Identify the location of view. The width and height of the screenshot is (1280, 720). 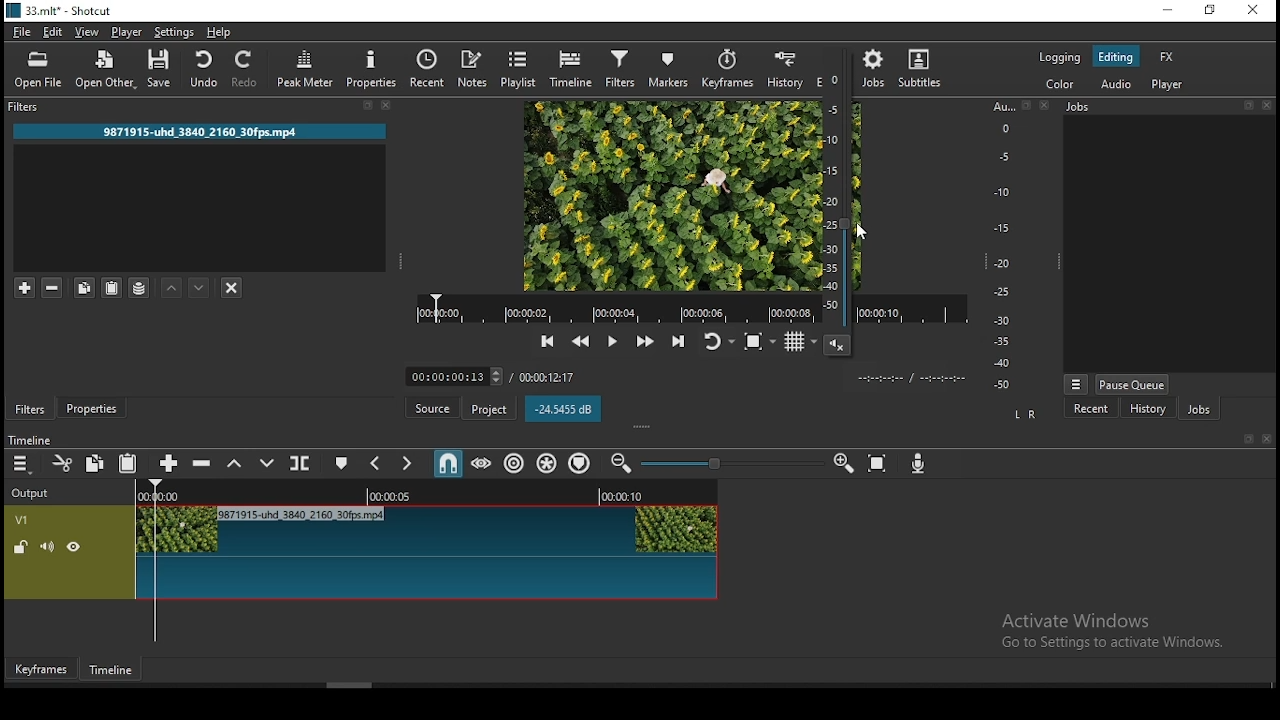
(87, 31).